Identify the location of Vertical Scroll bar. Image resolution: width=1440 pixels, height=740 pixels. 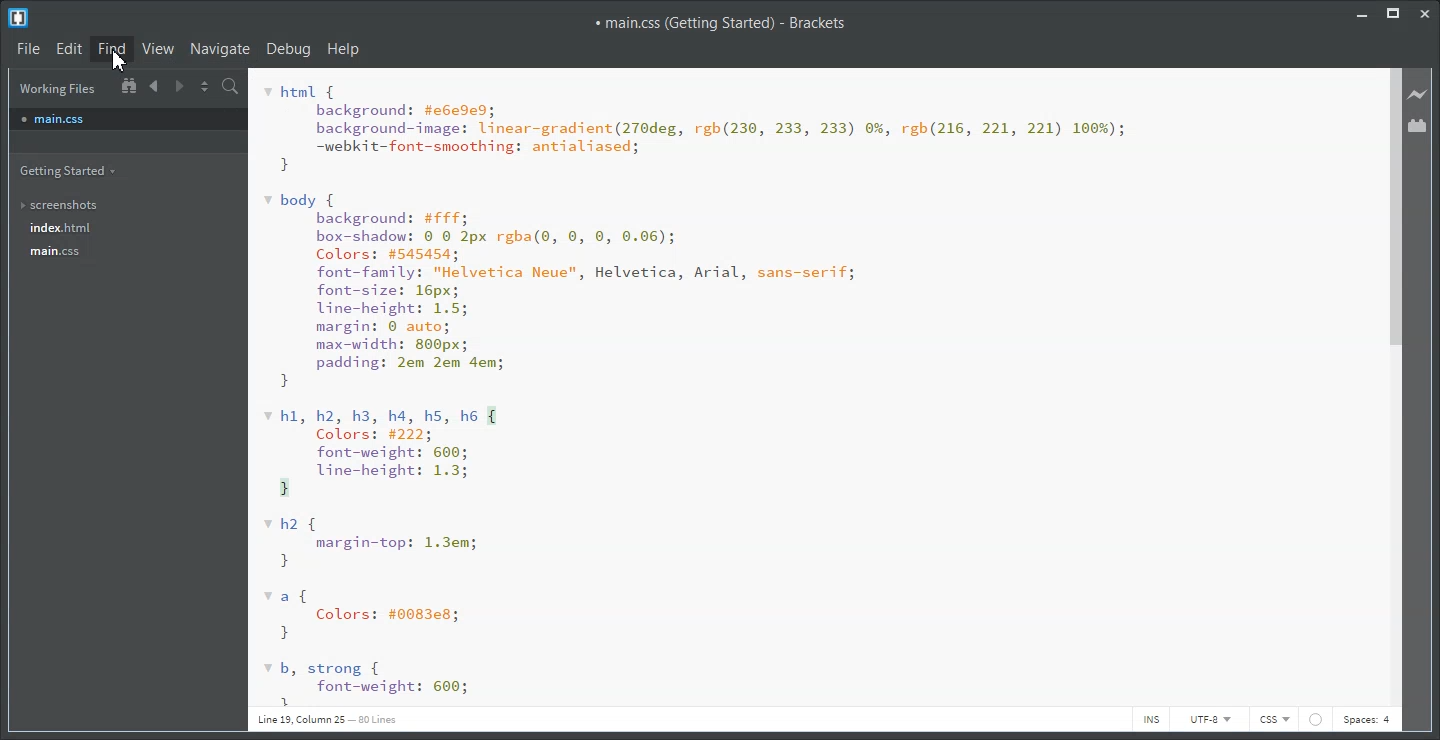
(1393, 387).